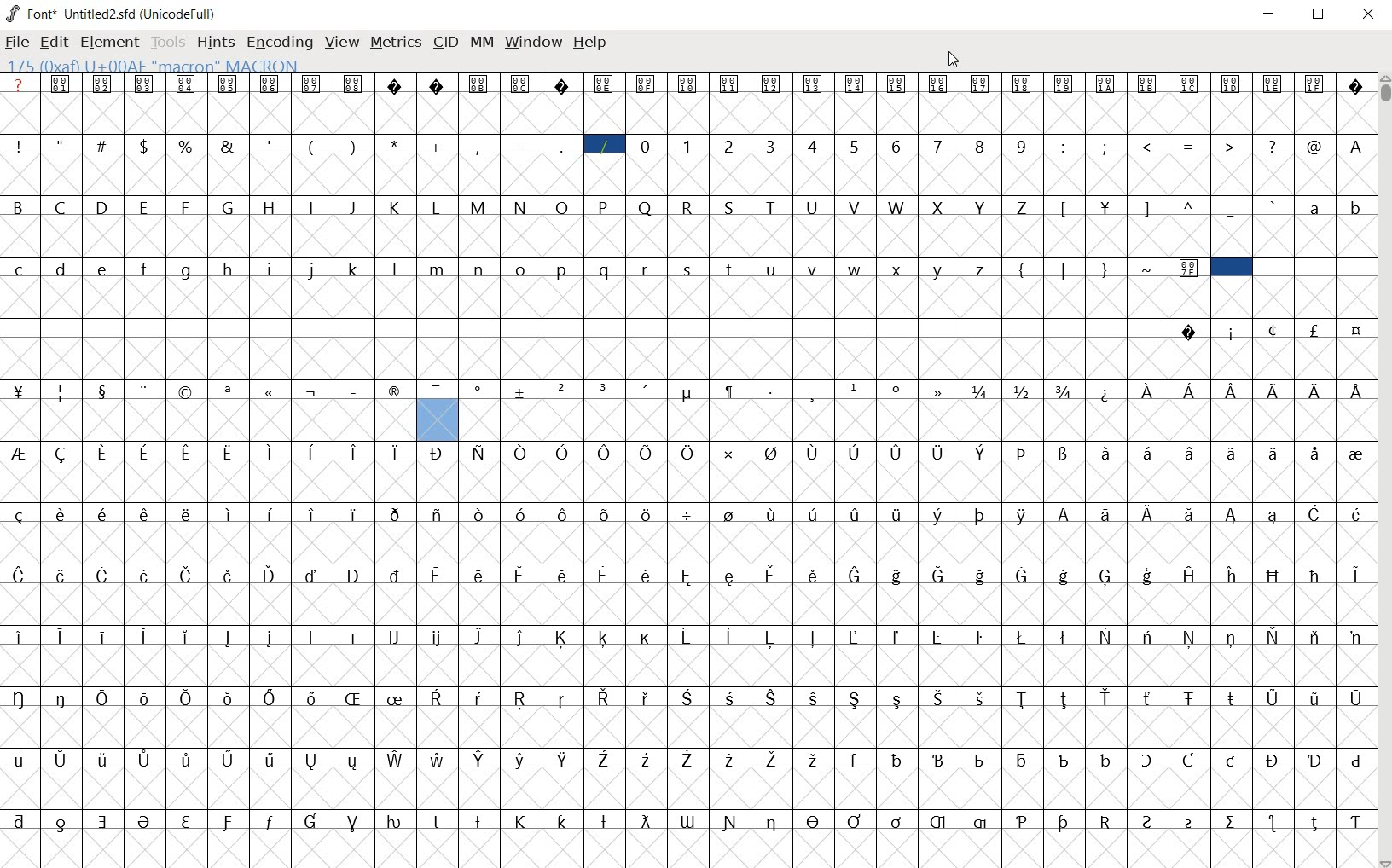  What do you see at coordinates (771, 574) in the screenshot?
I see `Symbol` at bounding box center [771, 574].